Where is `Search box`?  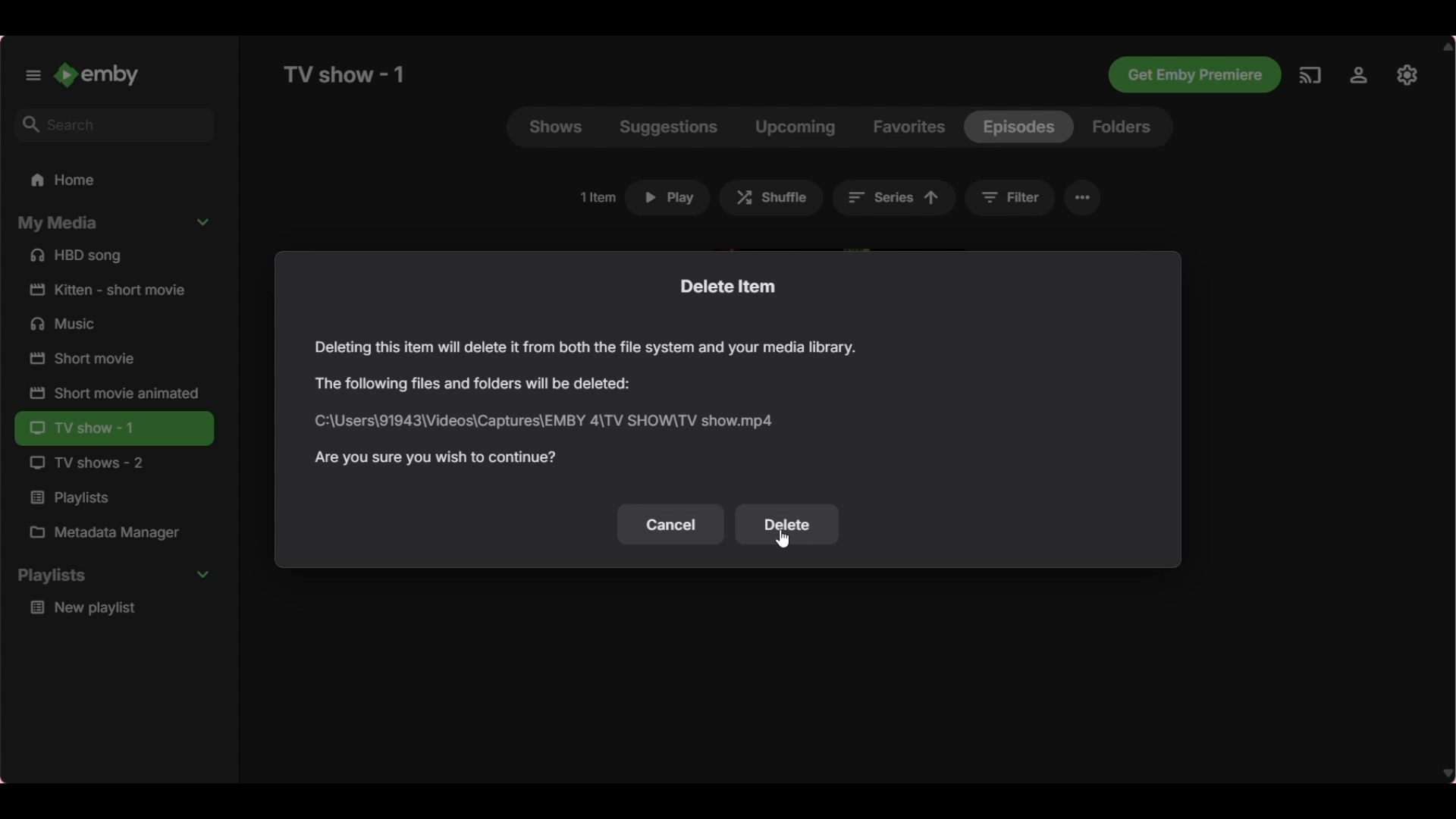
Search box is located at coordinates (115, 124).